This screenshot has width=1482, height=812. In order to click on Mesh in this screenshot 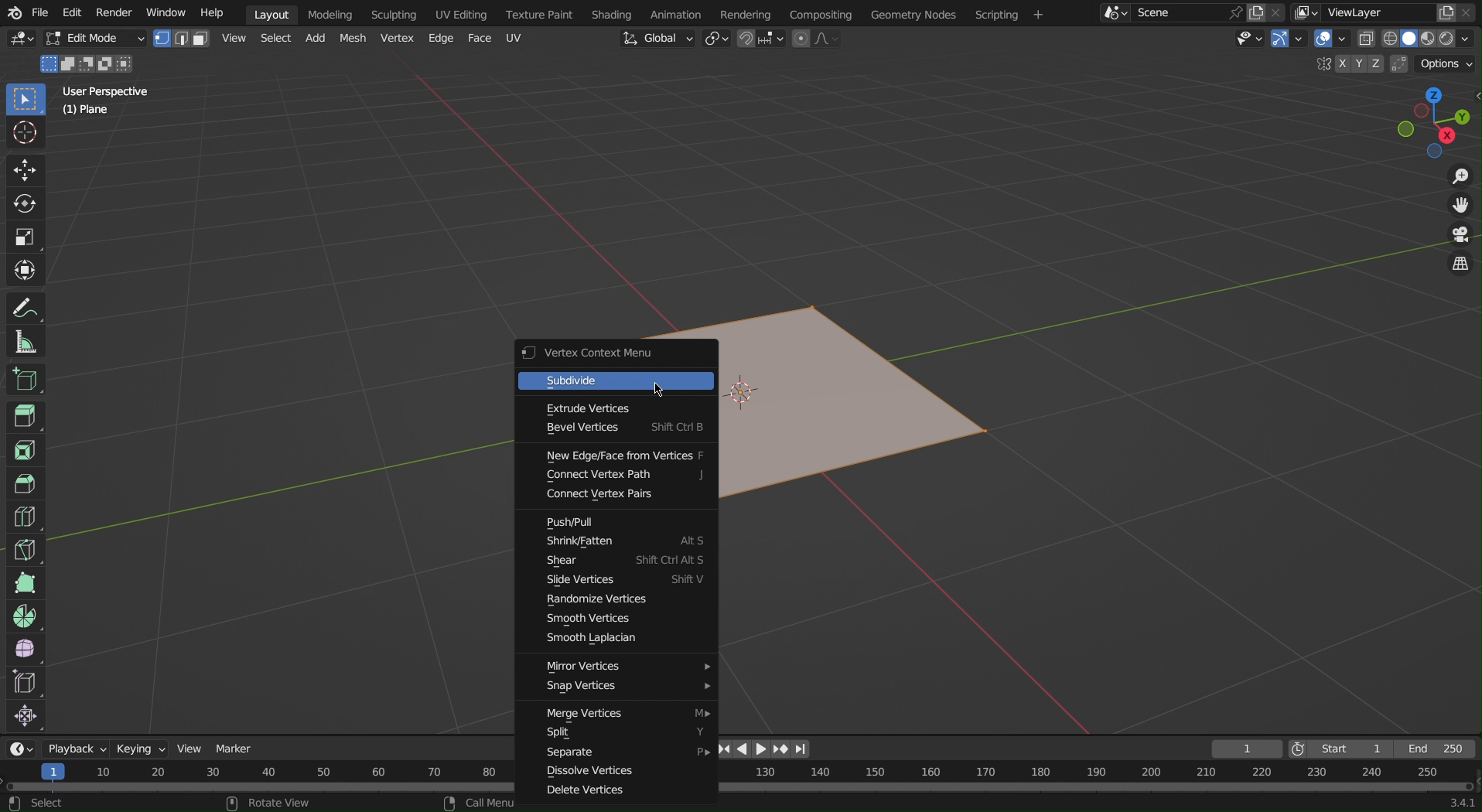, I will do `click(353, 39)`.